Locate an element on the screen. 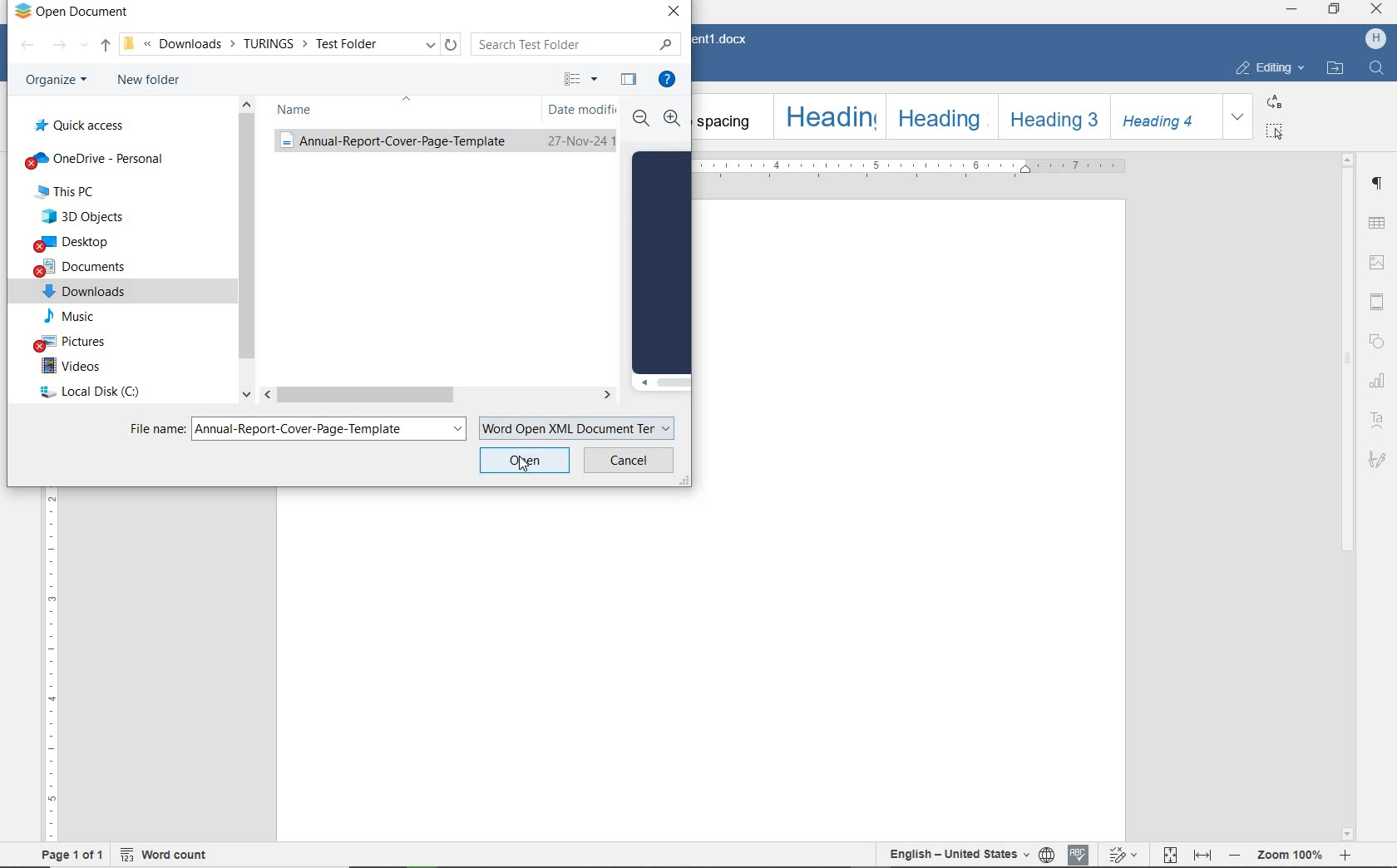 This screenshot has height=868, width=1397. 3D Objects is located at coordinates (81, 218).